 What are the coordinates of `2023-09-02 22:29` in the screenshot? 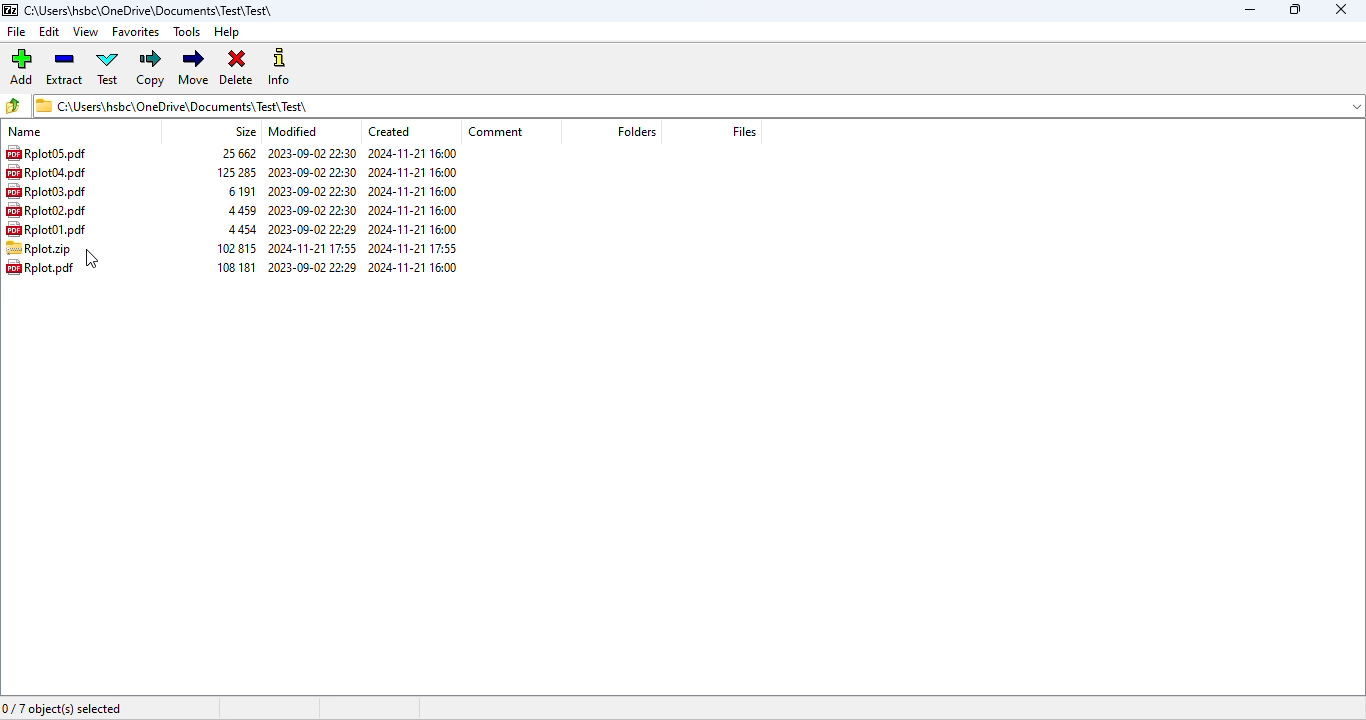 It's located at (313, 228).